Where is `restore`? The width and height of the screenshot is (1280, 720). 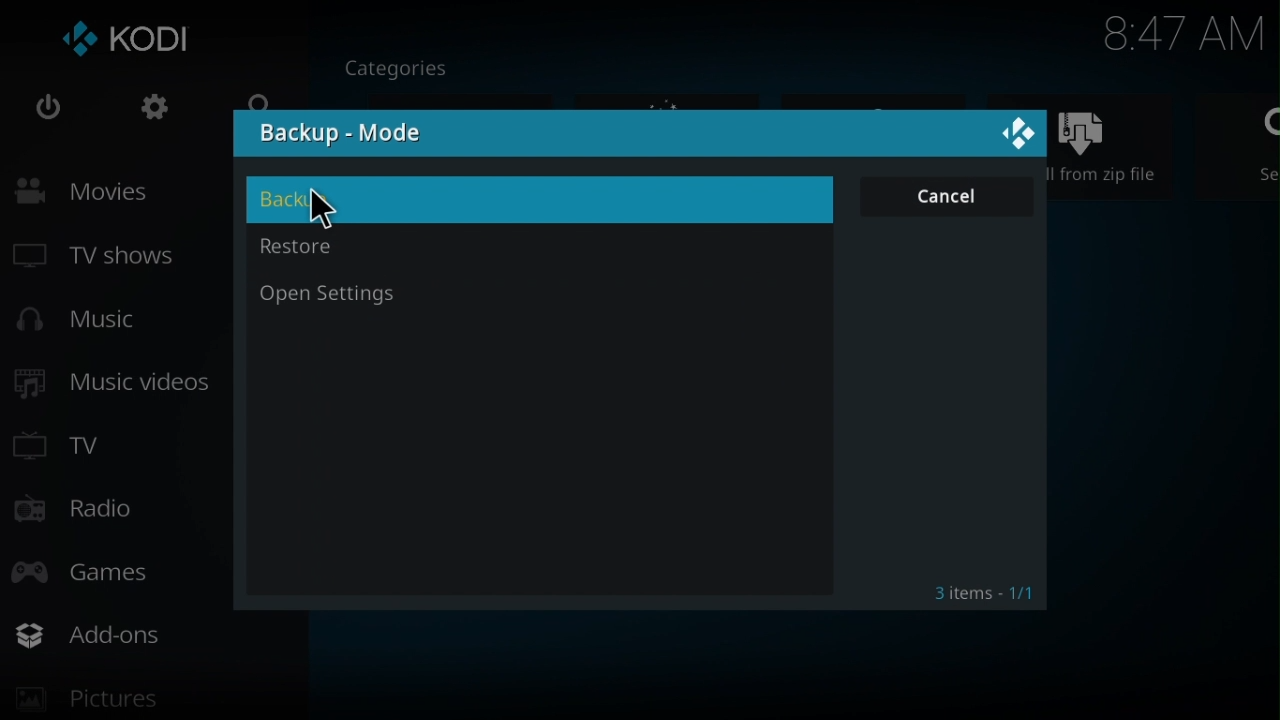
restore is located at coordinates (543, 248).